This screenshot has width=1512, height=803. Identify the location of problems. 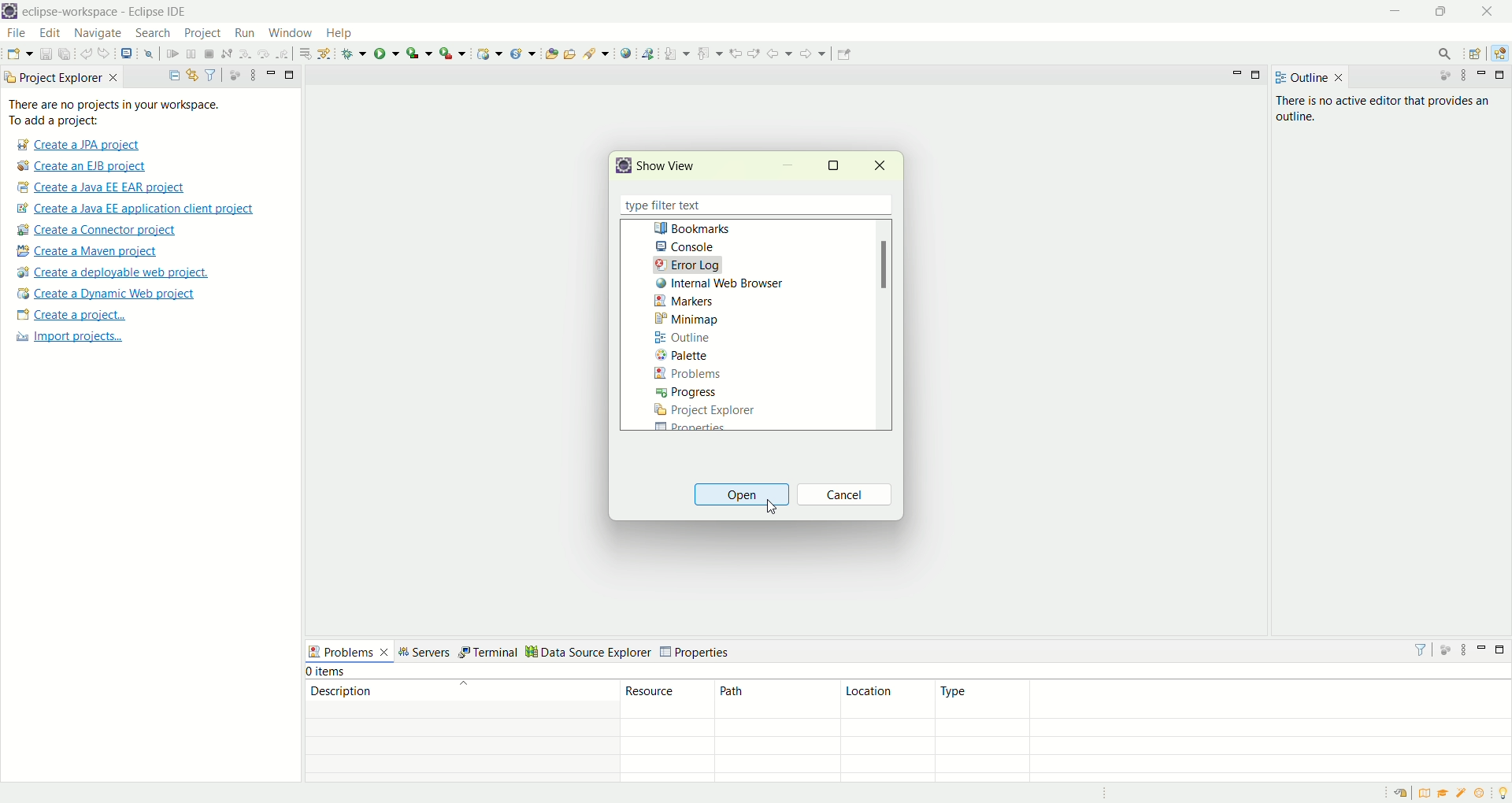
(688, 374).